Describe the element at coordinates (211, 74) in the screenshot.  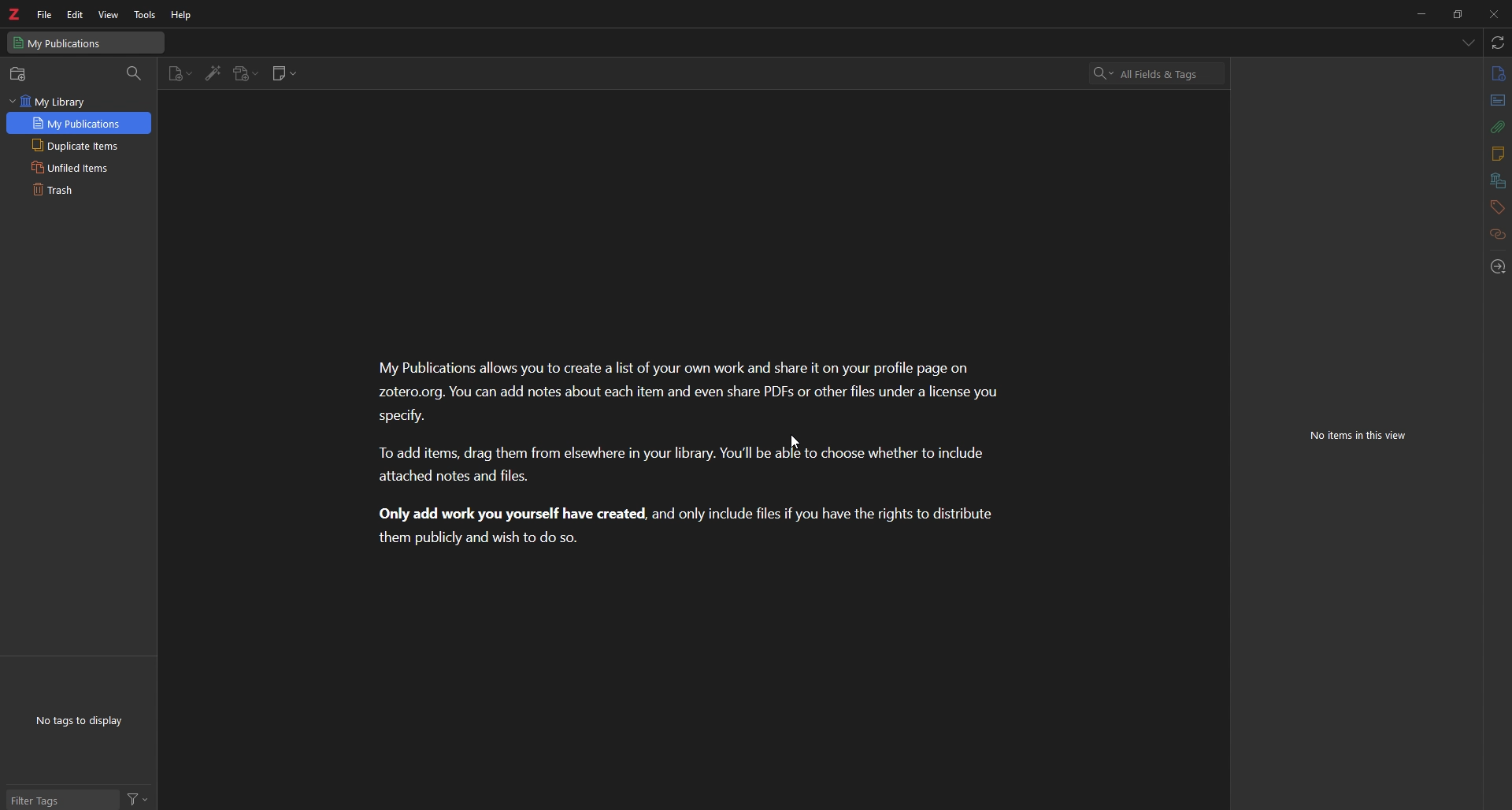
I see `Add item by identifier` at that location.